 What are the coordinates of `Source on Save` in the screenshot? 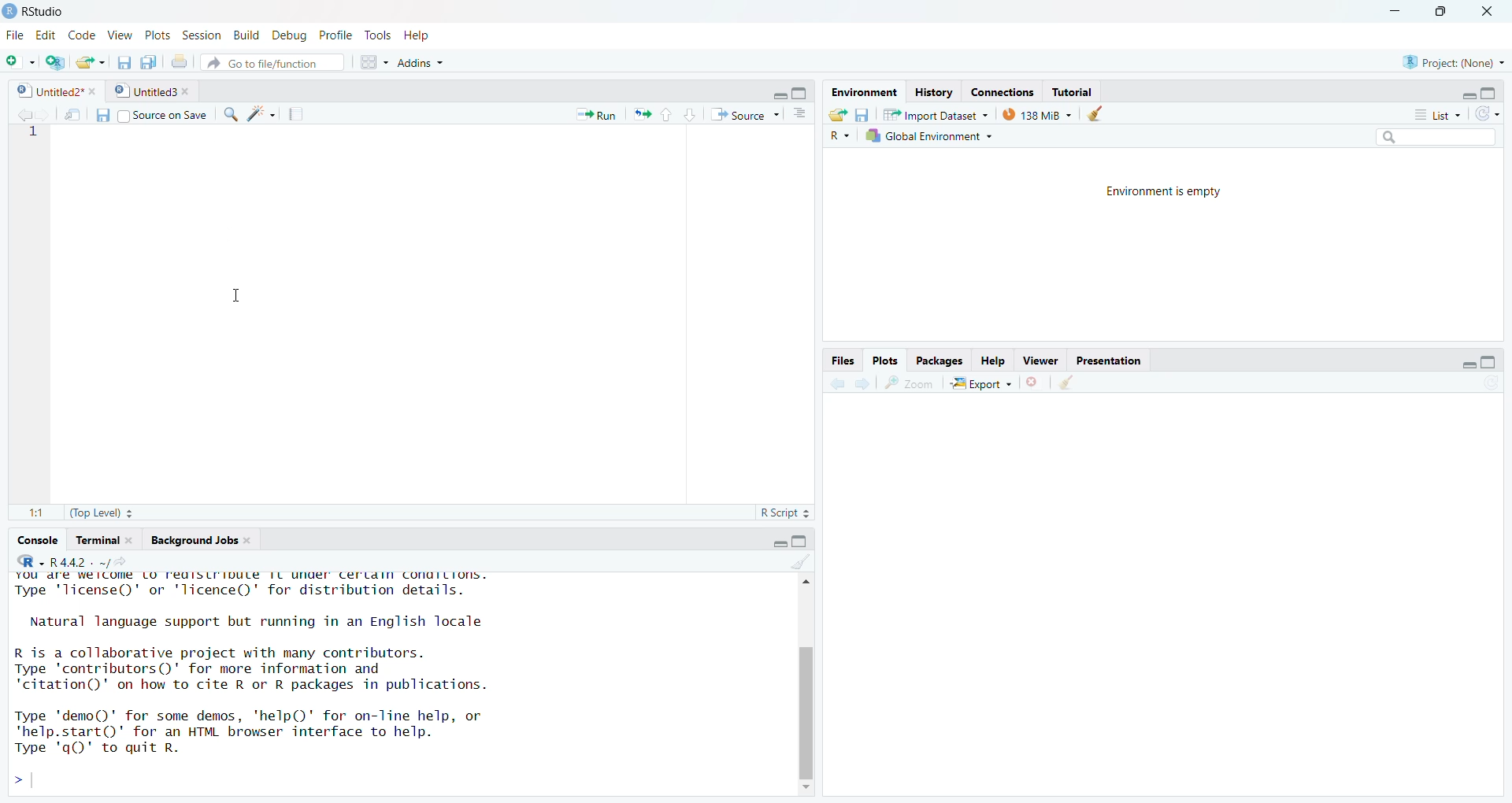 It's located at (166, 113).